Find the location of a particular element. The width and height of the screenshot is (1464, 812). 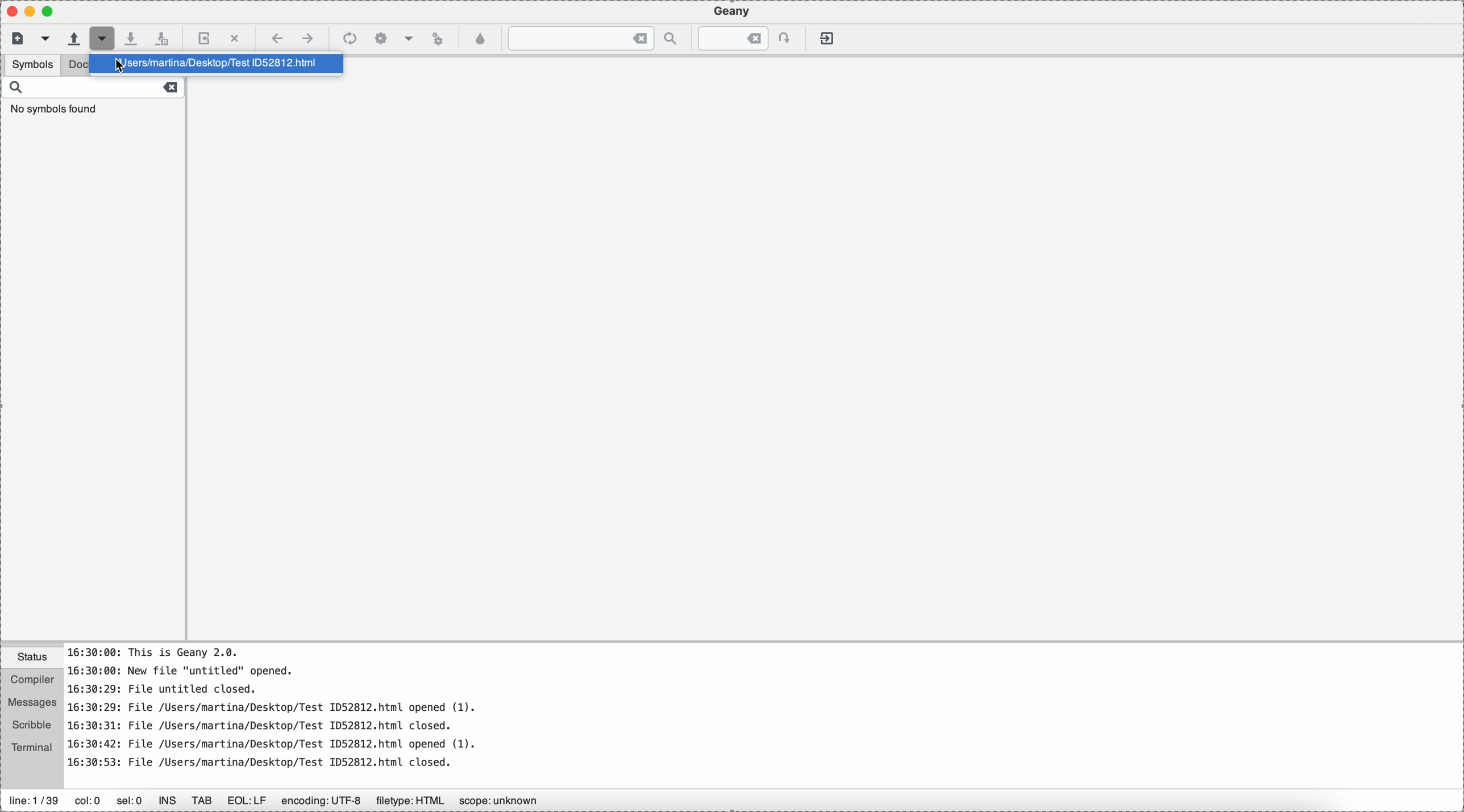

open an existing file is located at coordinates (73, 38).